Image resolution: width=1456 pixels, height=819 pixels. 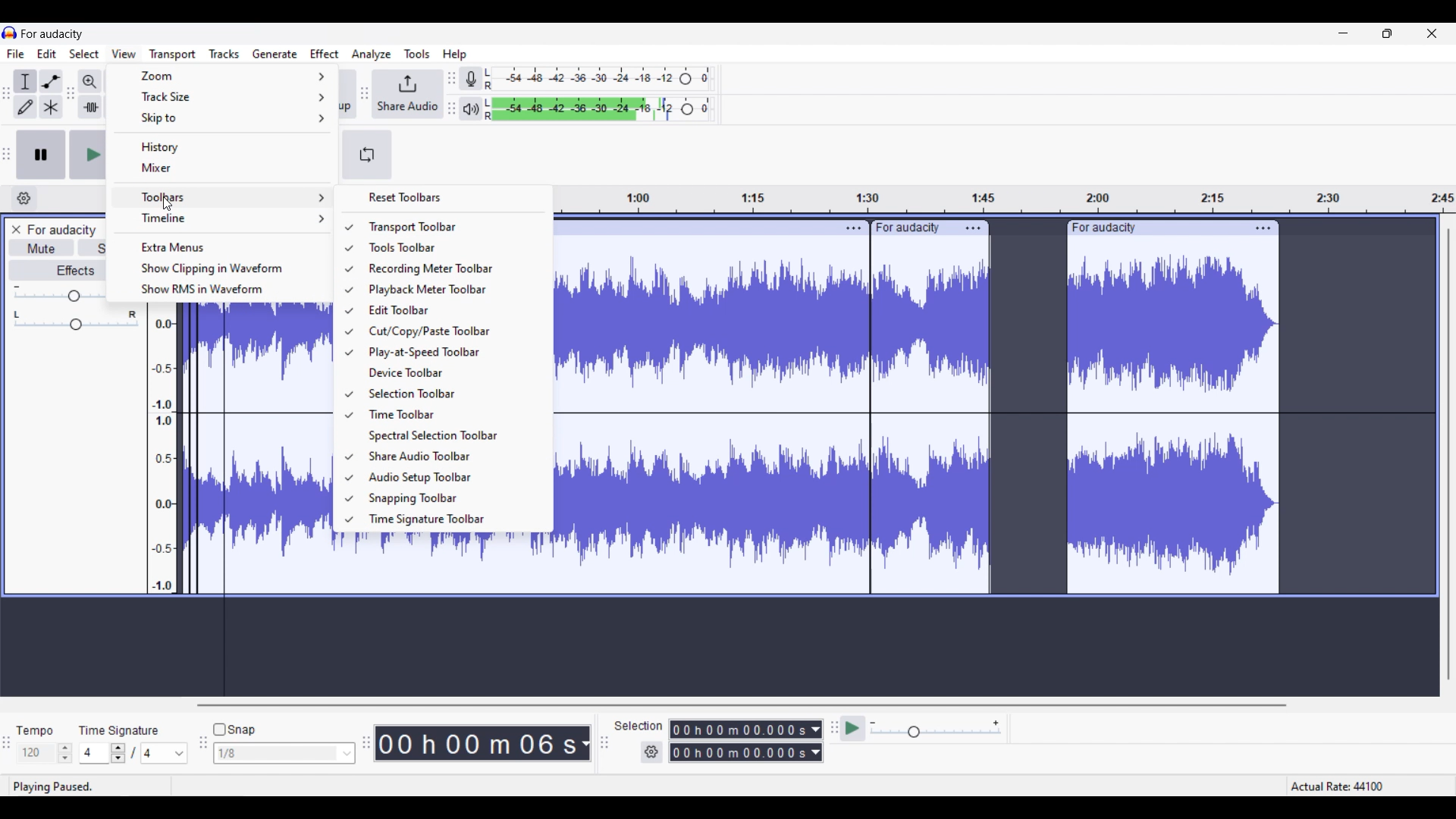 What do you see at coordinates (284, 754) in the screenshot?
I see `Snap list` at bounding box center [284, 754].